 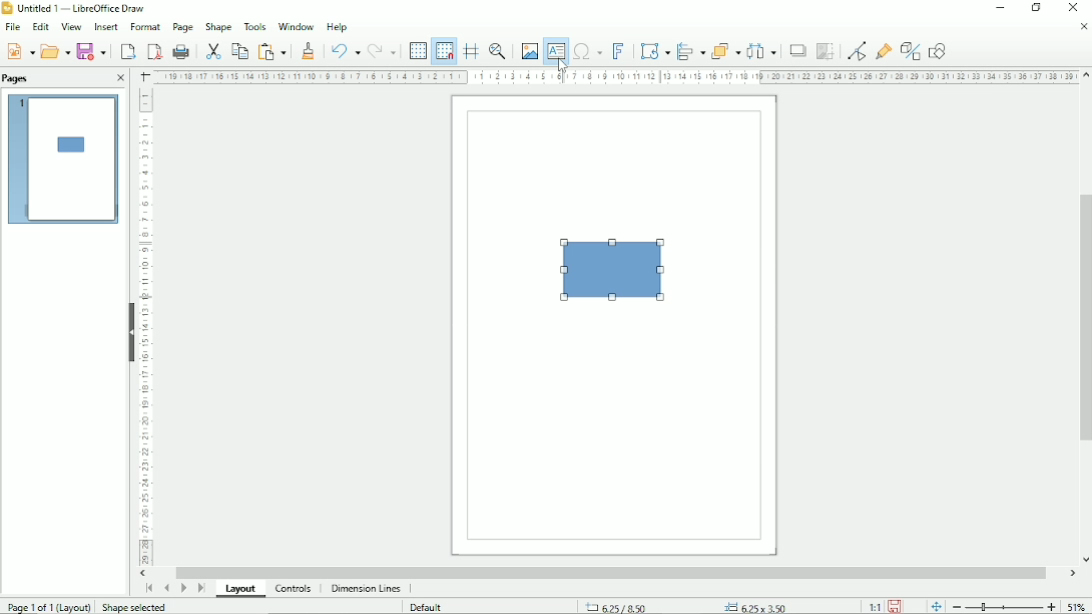 I want to click on Horizontal scale, so click(x=145, y=329).